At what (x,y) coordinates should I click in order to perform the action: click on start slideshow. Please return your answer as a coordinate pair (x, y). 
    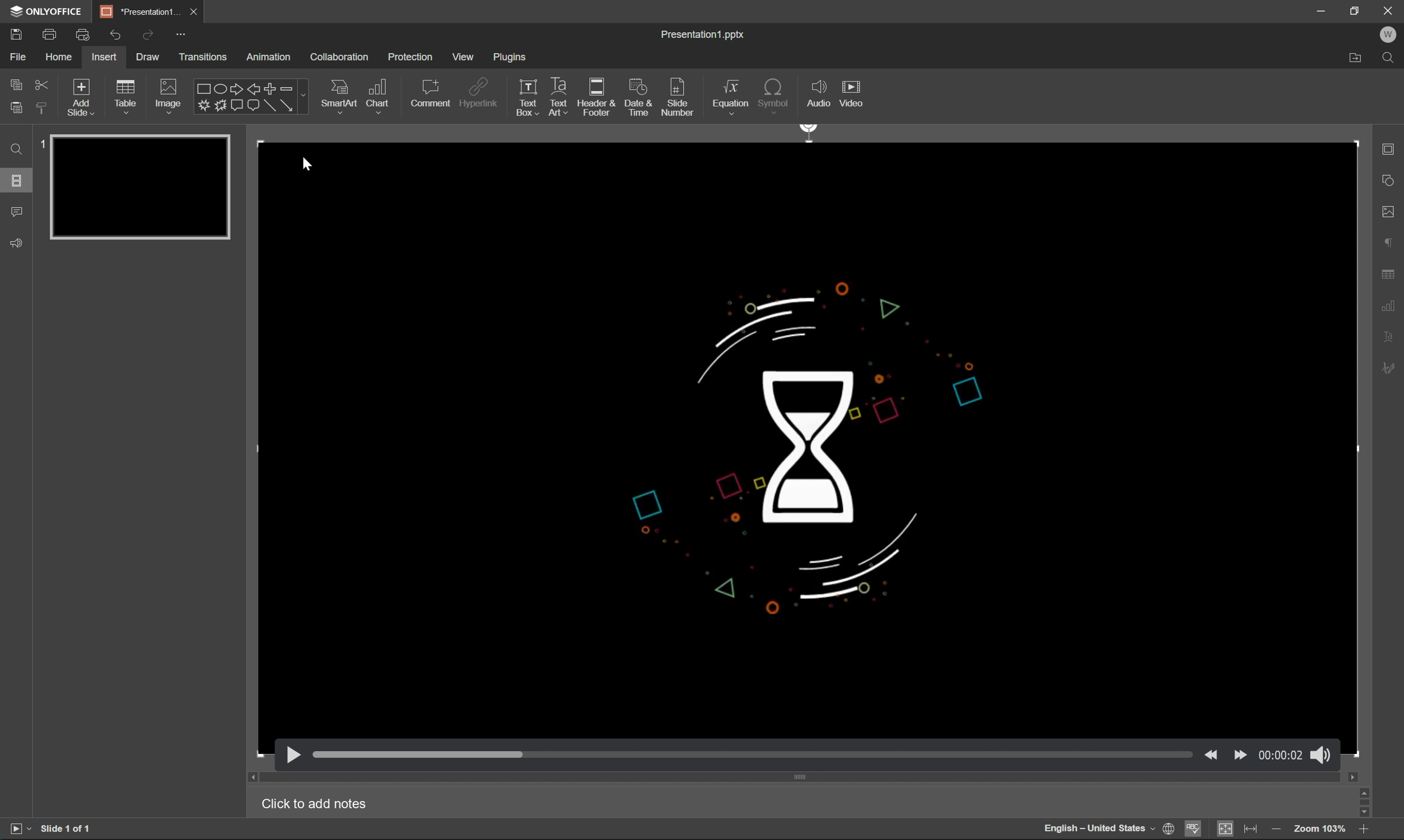
    Looking at the image, I should click on (16, 827).